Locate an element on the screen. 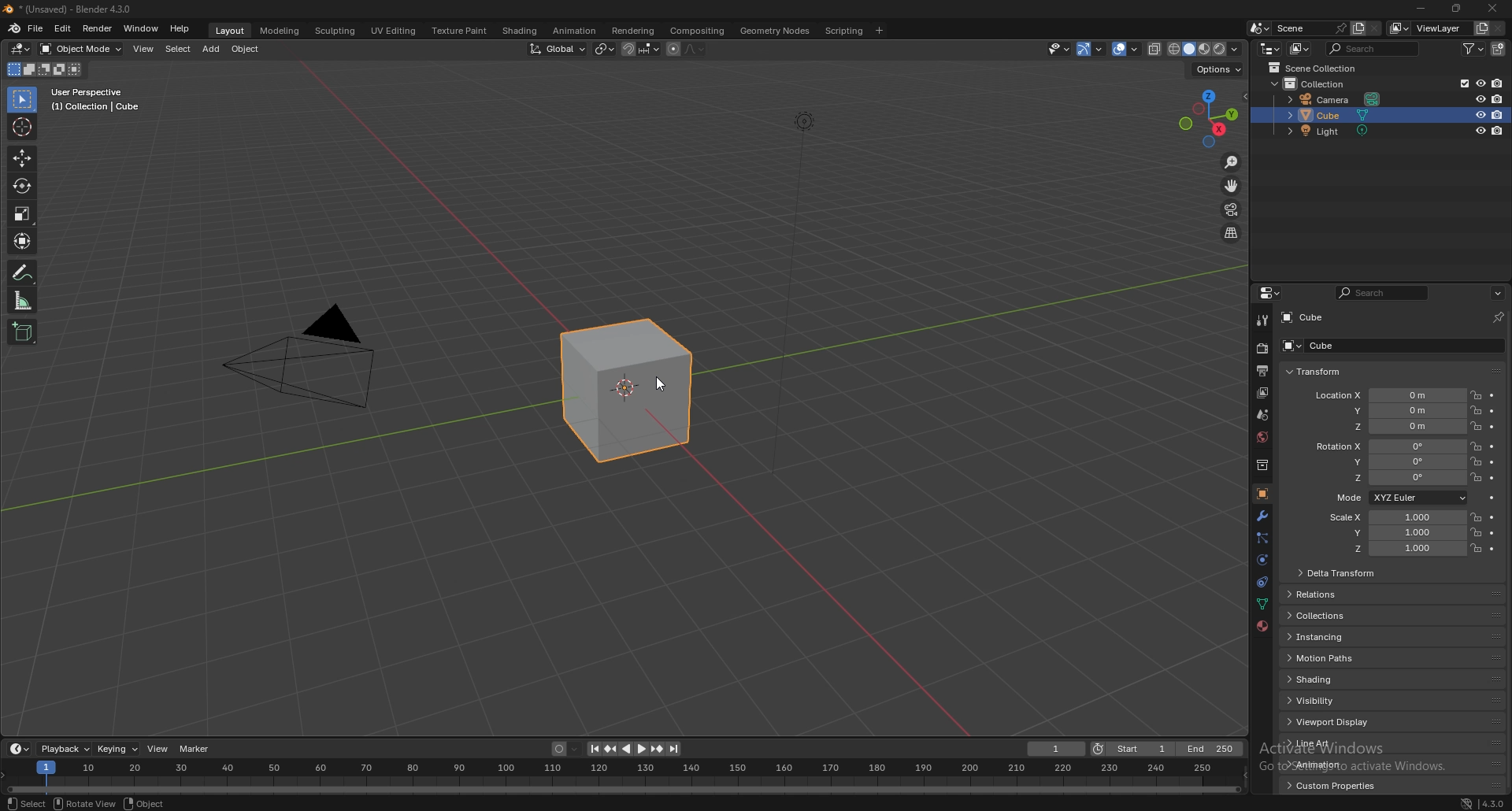 This screenshot has width=1512, height=811. select is located at coordinates (178, 49).